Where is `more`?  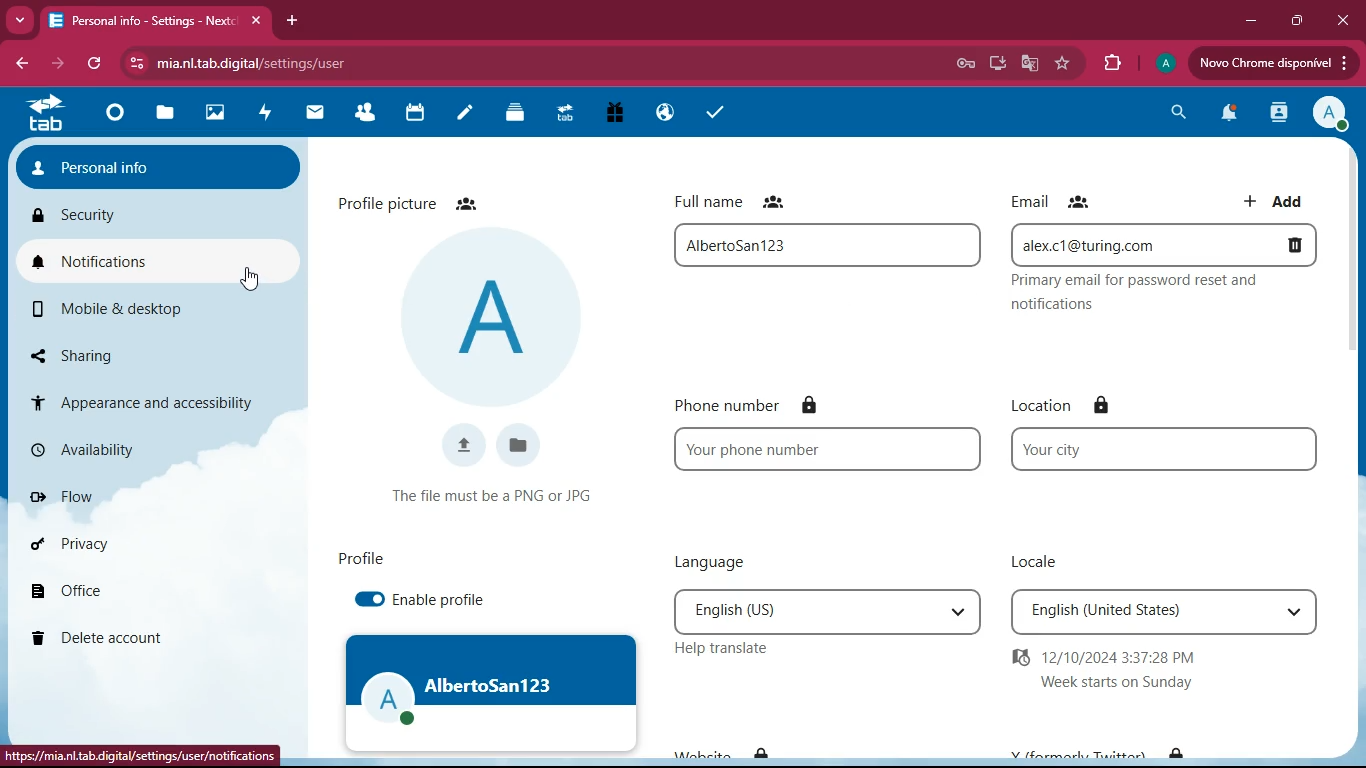
more is located at coordinates (20, 19).